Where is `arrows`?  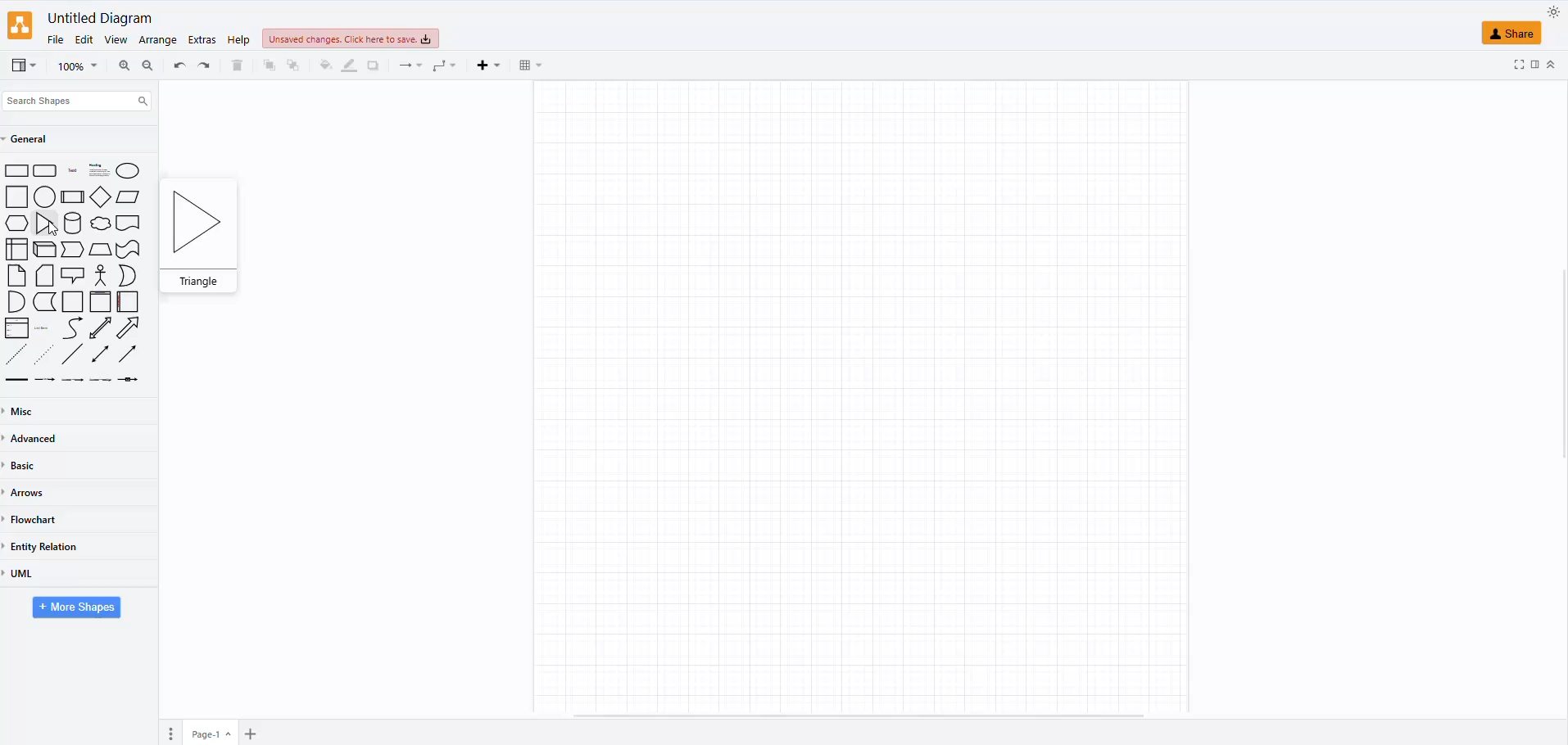
arrows is located at coordinates (32, 492).